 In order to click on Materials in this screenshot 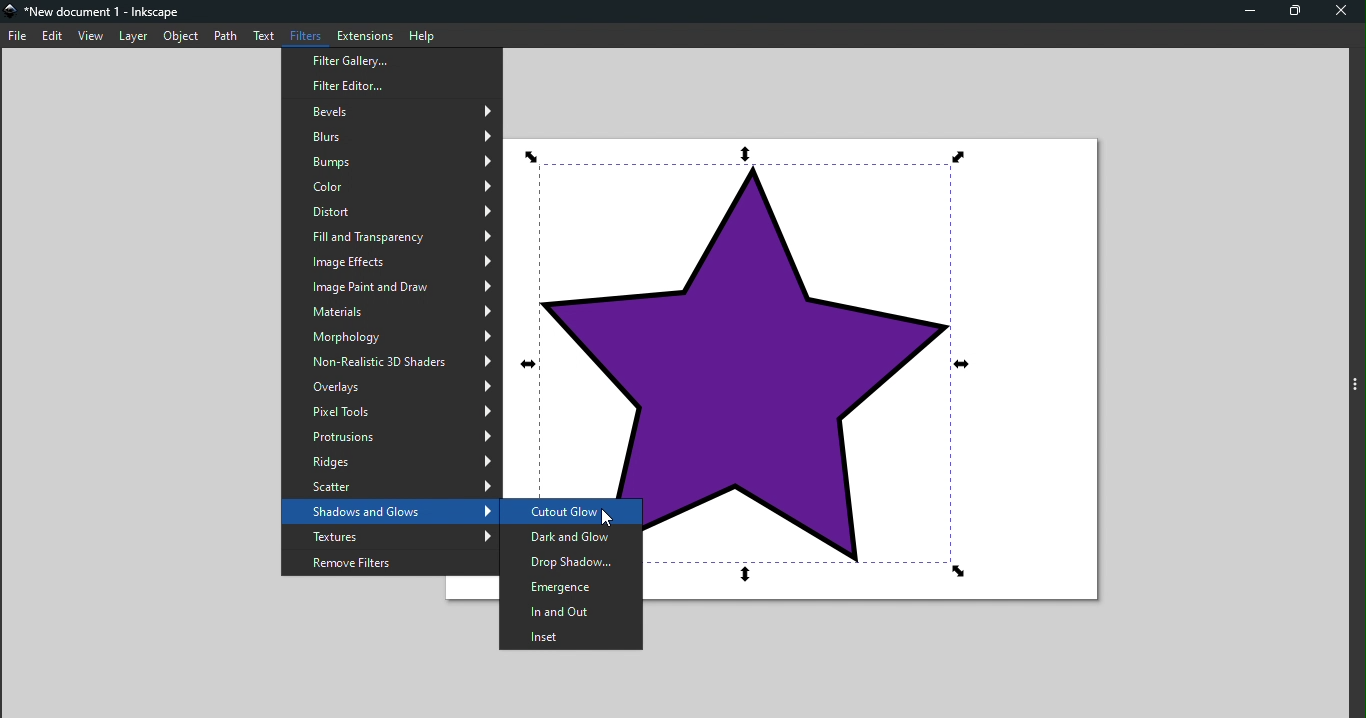, I will do `click(391, 313)`.